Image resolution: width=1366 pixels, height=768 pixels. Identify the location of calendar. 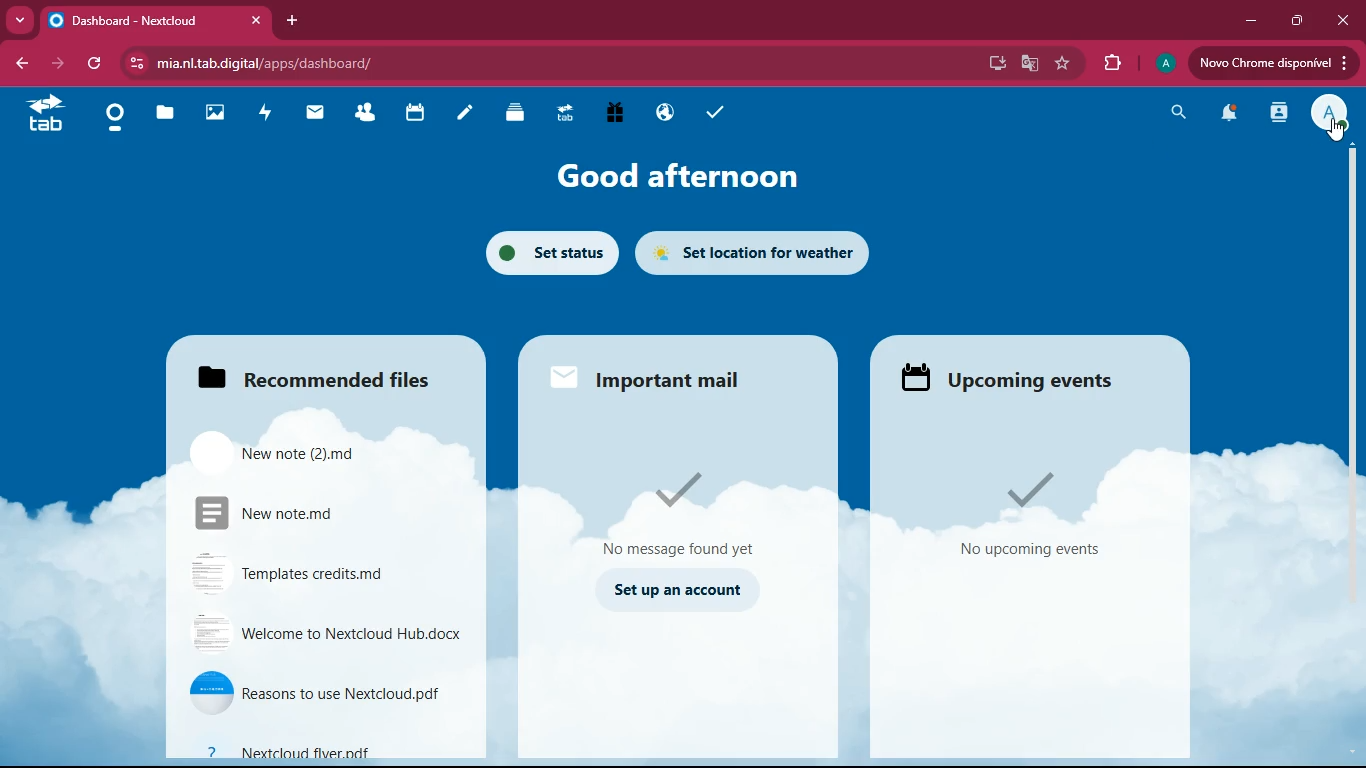
(417, 115).